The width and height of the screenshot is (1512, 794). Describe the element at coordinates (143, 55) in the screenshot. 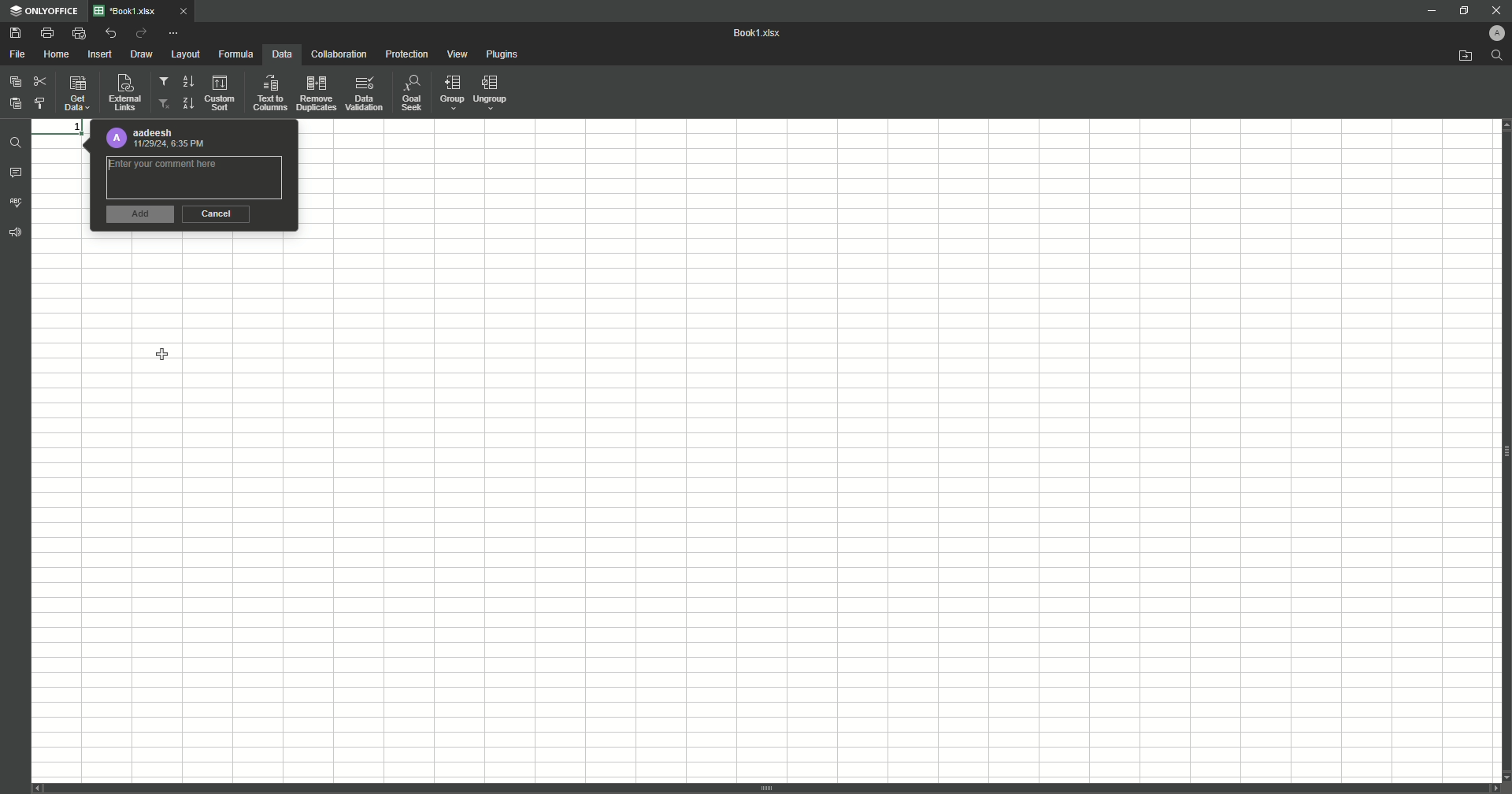

I see `Draw` at that location.